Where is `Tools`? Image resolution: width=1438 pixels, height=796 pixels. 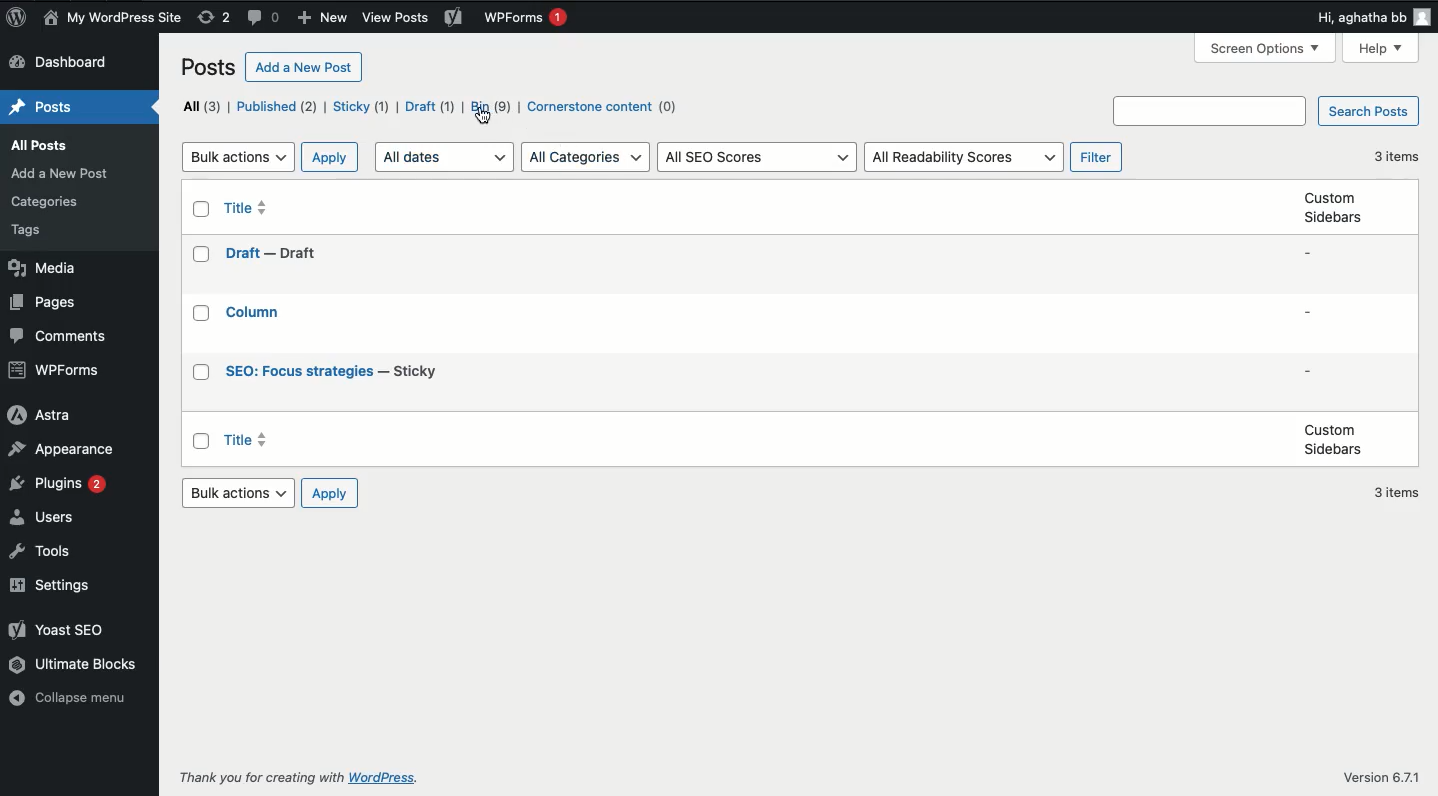
Tools is located at coordinates (40, 551).